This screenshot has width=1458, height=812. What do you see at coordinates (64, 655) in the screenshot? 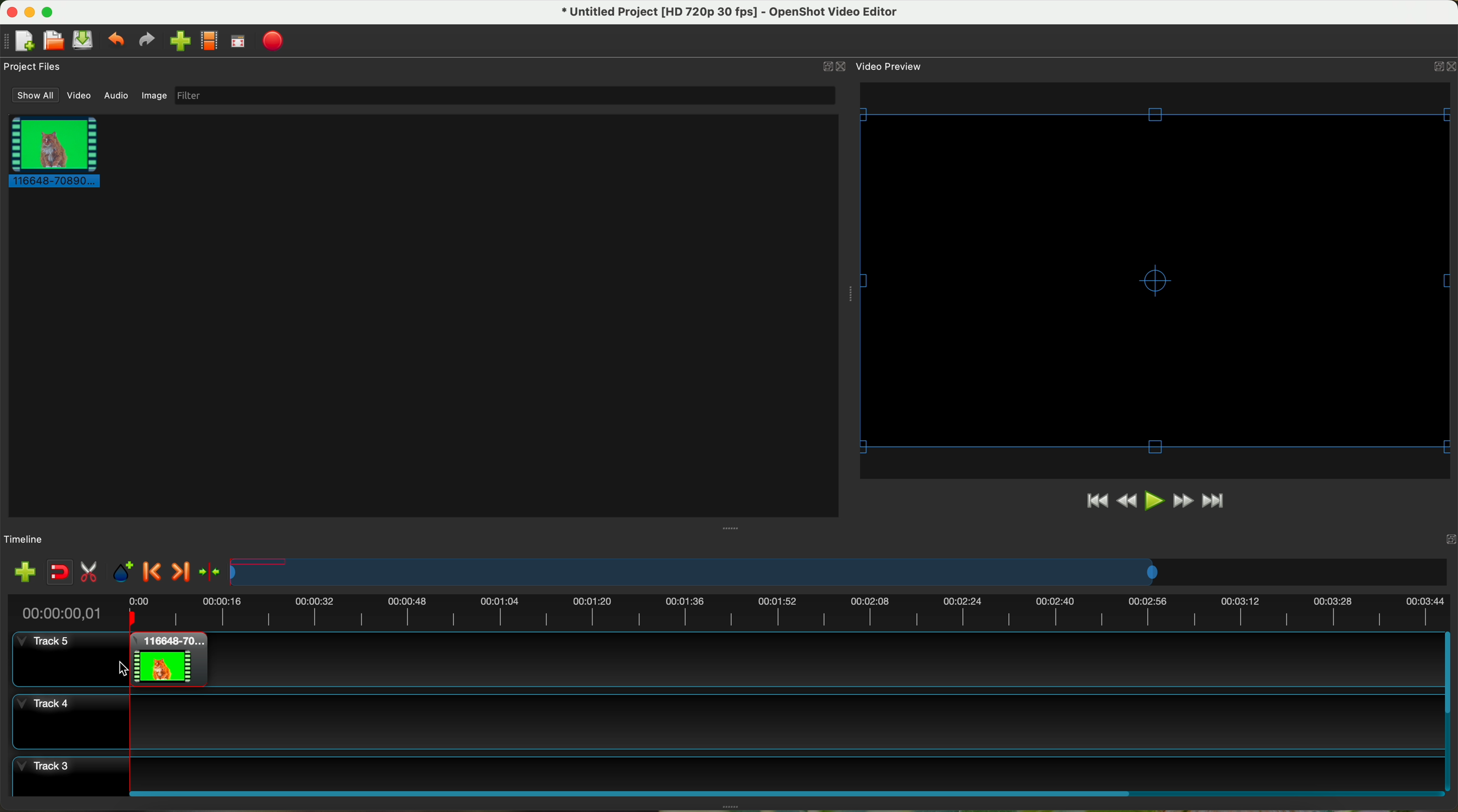
I see `track 5` at bounding box center [64, 655].